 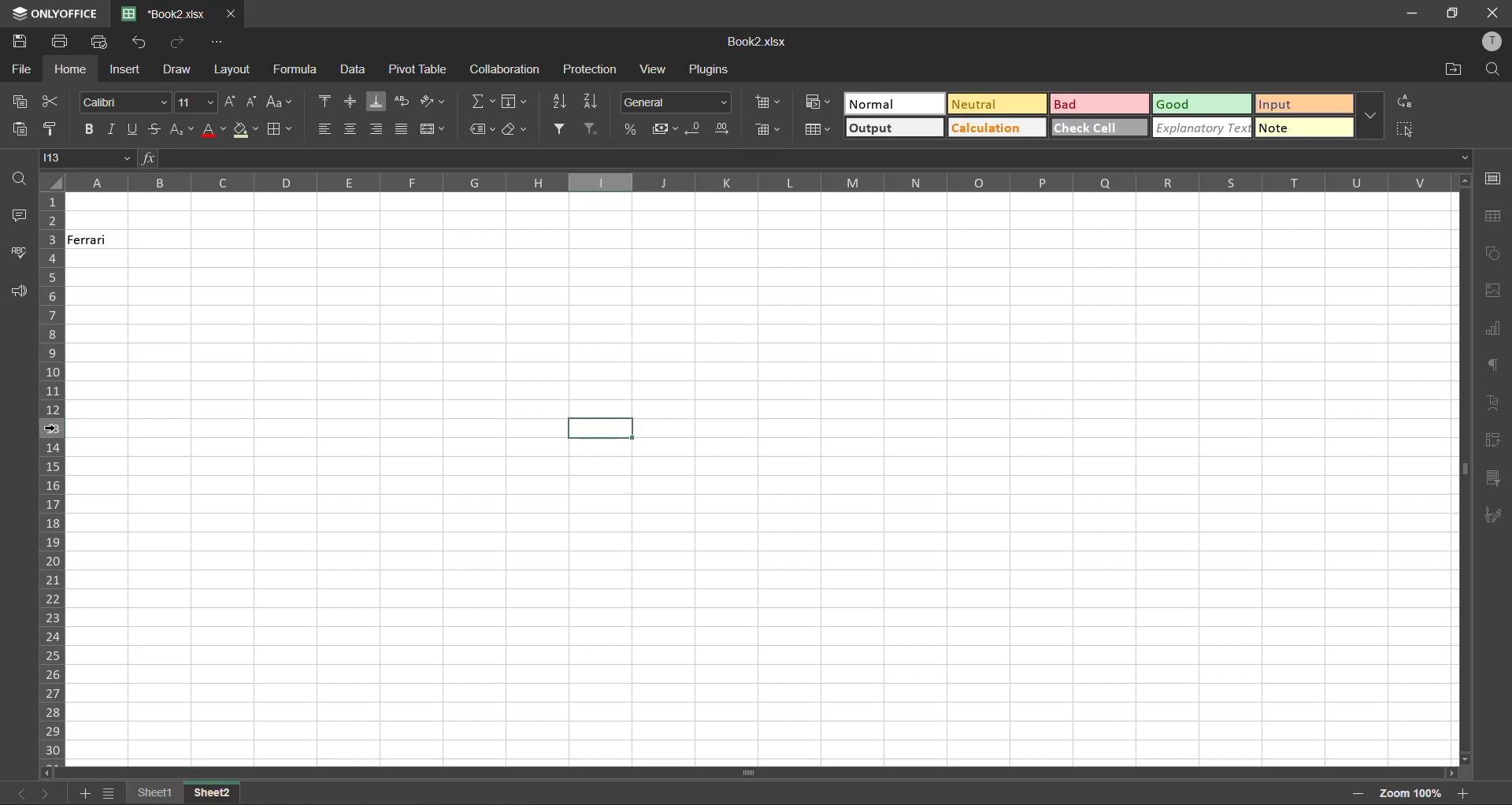 I want to click on merge and center, so click(x=432, y=129).